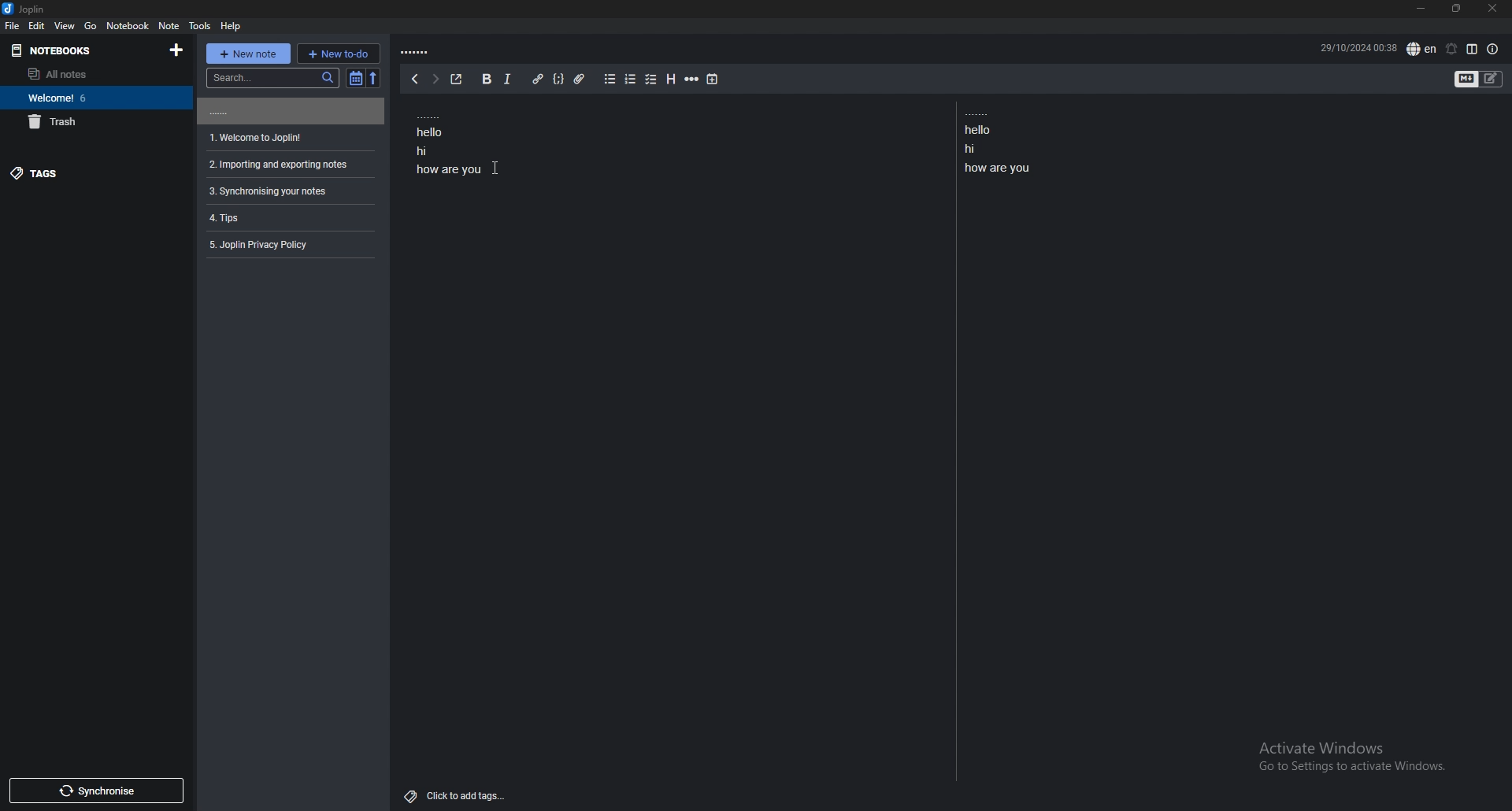  I want to click on bulleted list, so click(610, 80).